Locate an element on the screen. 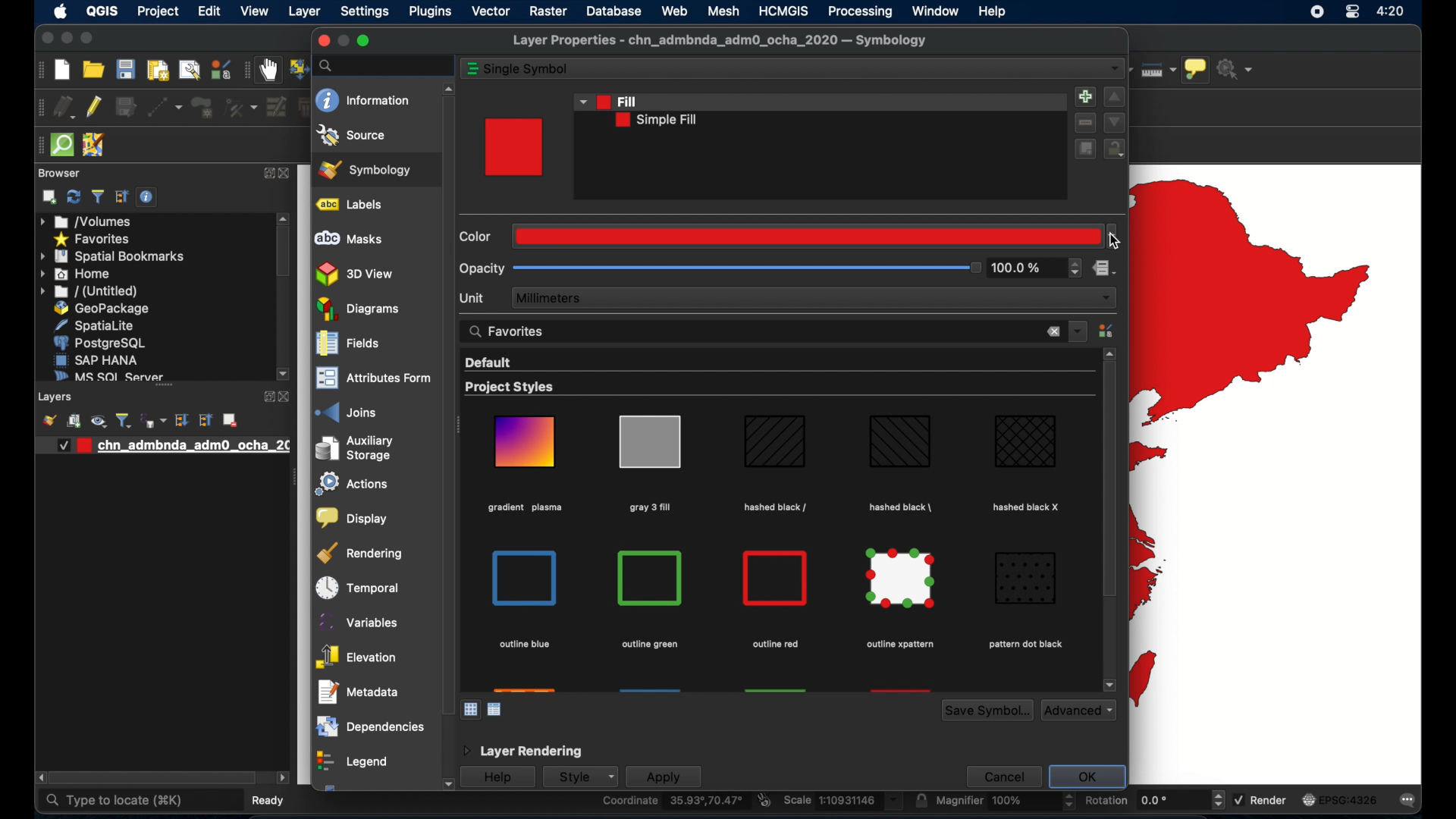  gray 3 fill is located at coordinates (648, 507).